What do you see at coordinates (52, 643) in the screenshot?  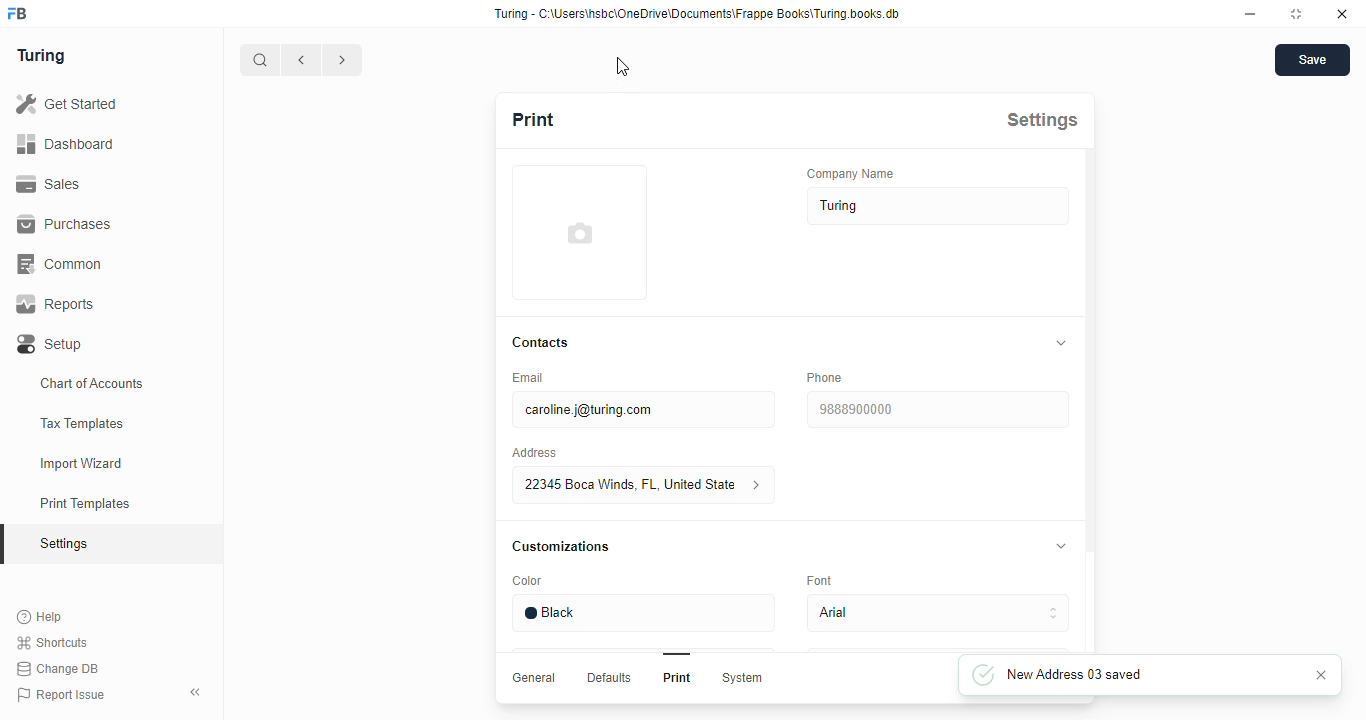 I see `shortcuts` at bounding box center [52, 643].